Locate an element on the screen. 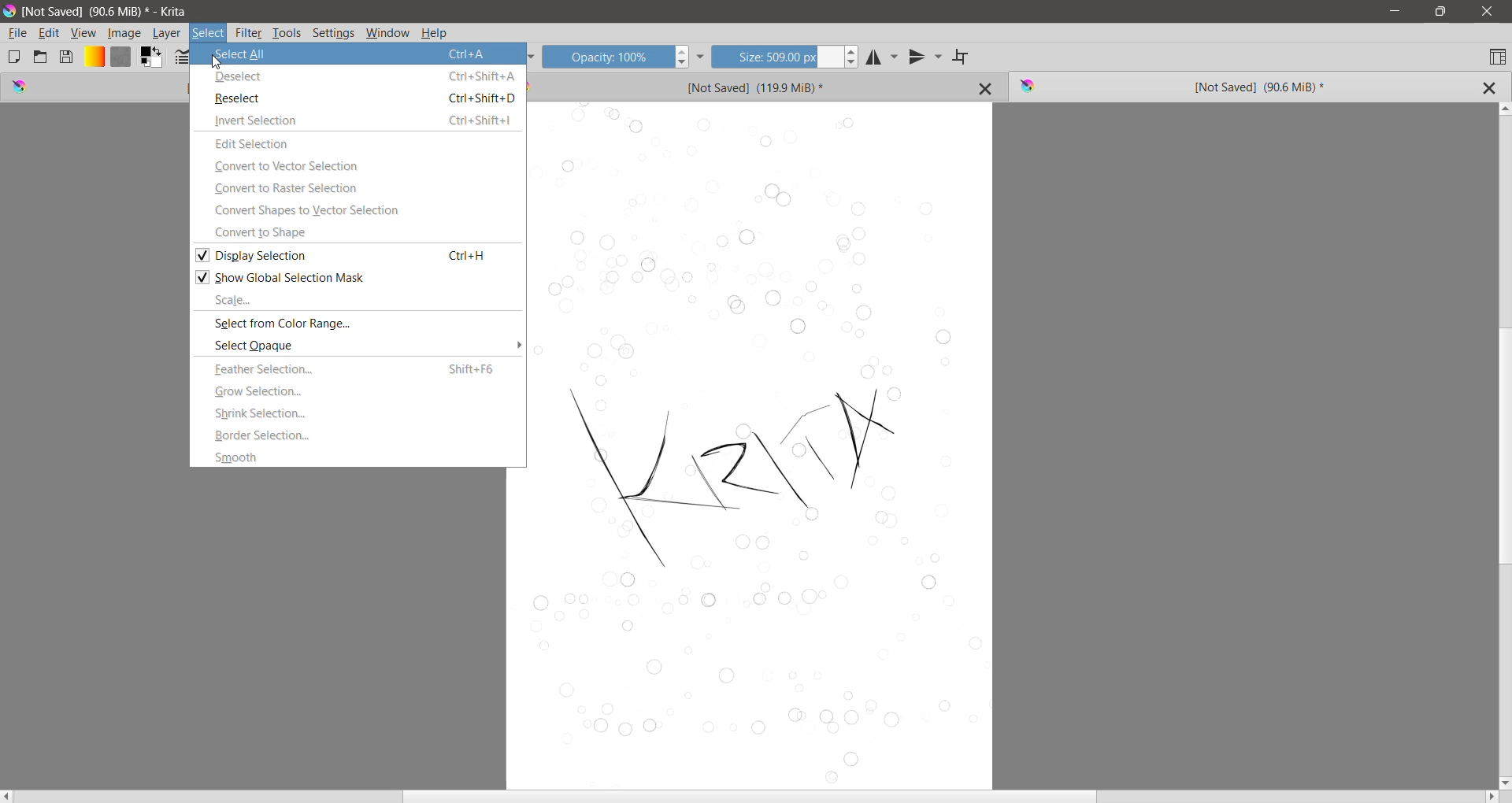 The width and height of the screenshot is (1512, 803). Edit Brush settings is located at coordinates (182, 58).